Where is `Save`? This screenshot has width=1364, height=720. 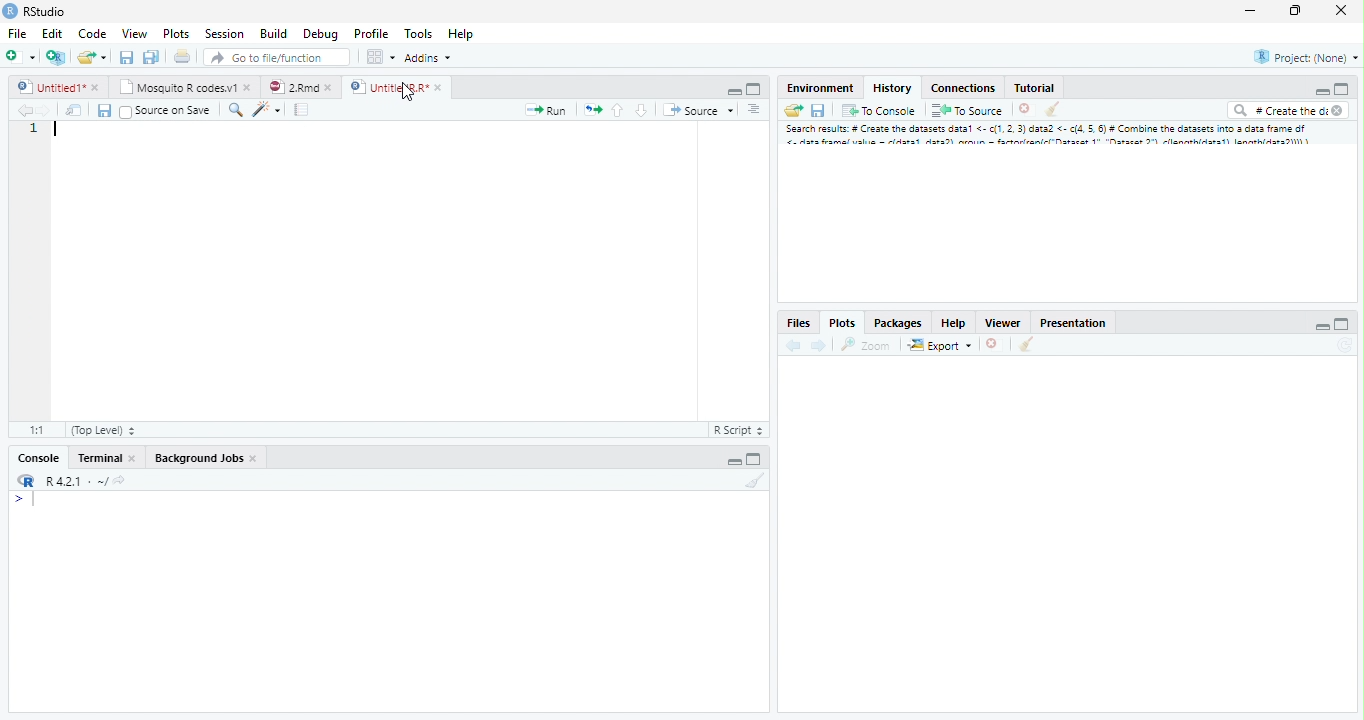
Save is located at coordinates (822, 109).